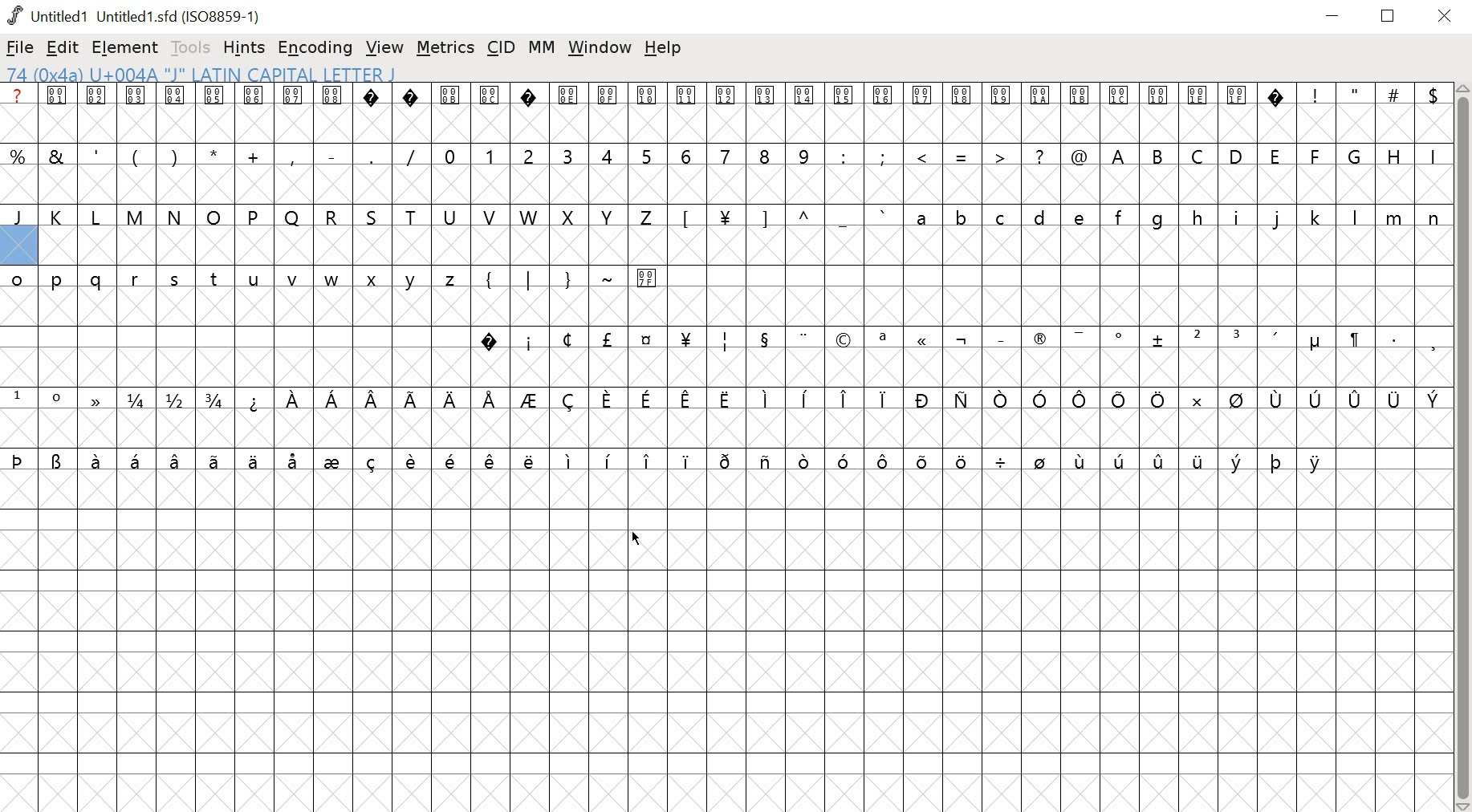 Image resolution: width=1472 pixels, height=812 pixels. I want to click on symbols, so click(565, 278).